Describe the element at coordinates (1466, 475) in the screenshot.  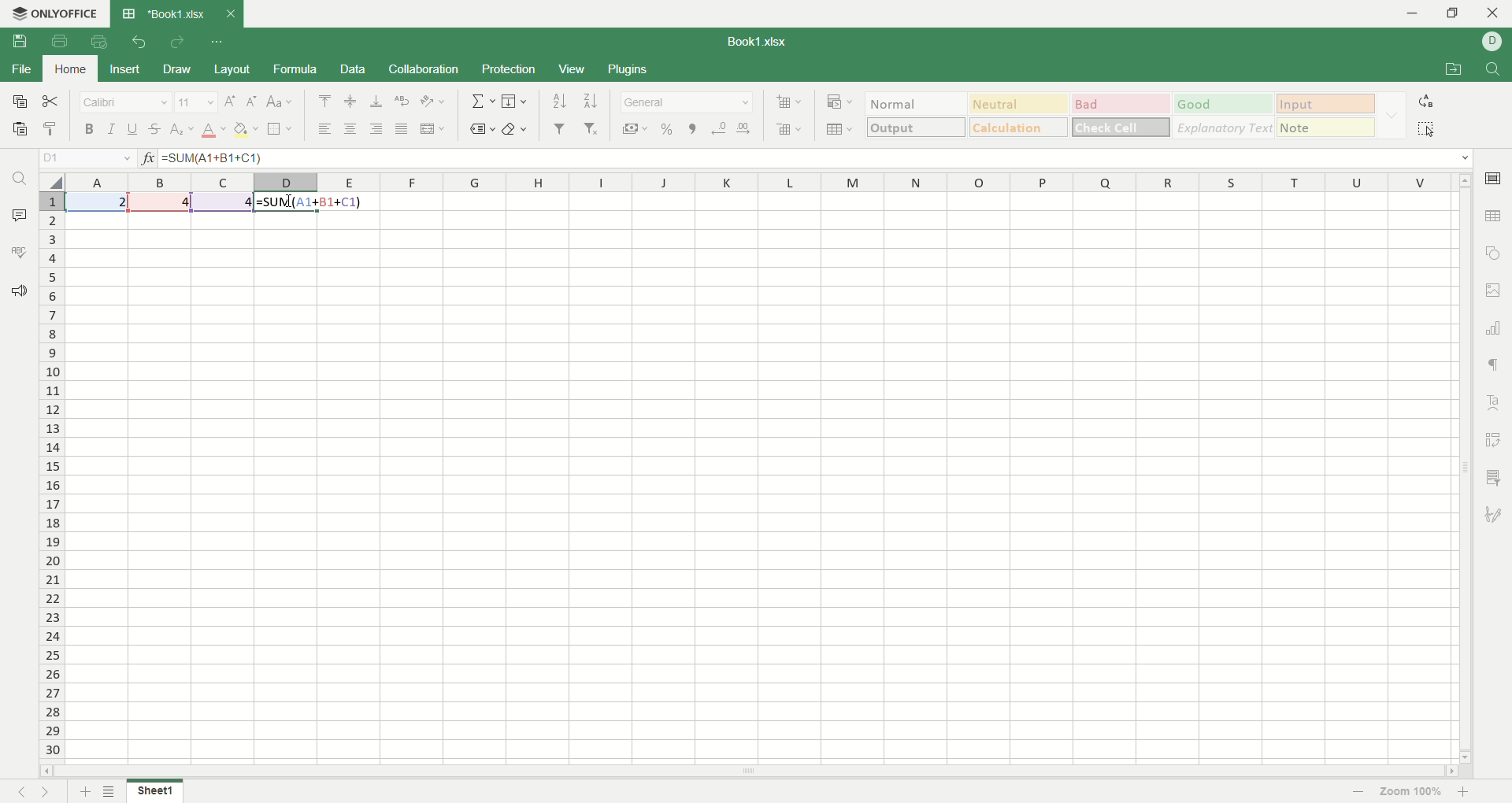
I see `vertical scroll bar` at that location.